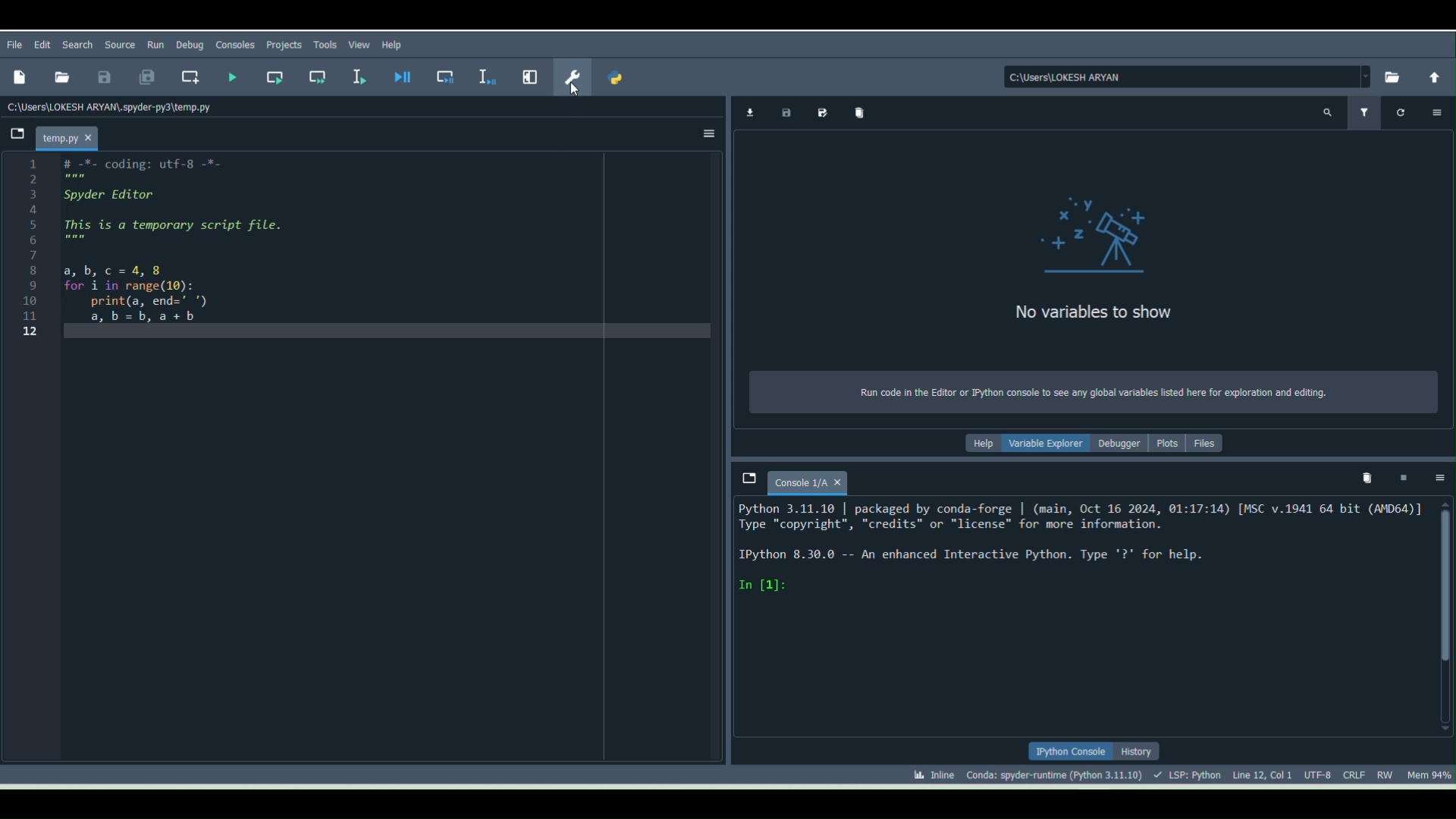 Image resolution: width=1456 pixels, height=819 pixels. Describe the element at coordinates (362, 460) in the screenshot. I see `Code editor` at that location.